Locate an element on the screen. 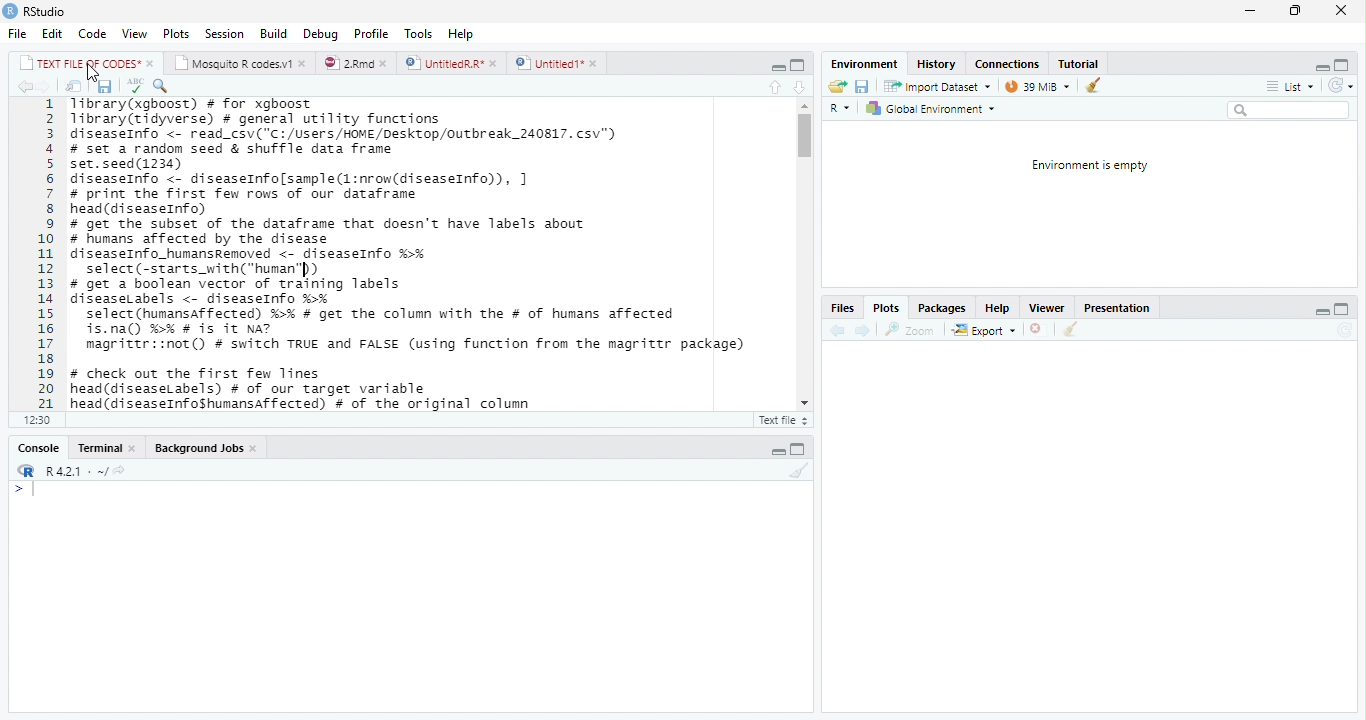 The image size is (1366, 720). Typing Indicator is located at coordinates (23, 489).